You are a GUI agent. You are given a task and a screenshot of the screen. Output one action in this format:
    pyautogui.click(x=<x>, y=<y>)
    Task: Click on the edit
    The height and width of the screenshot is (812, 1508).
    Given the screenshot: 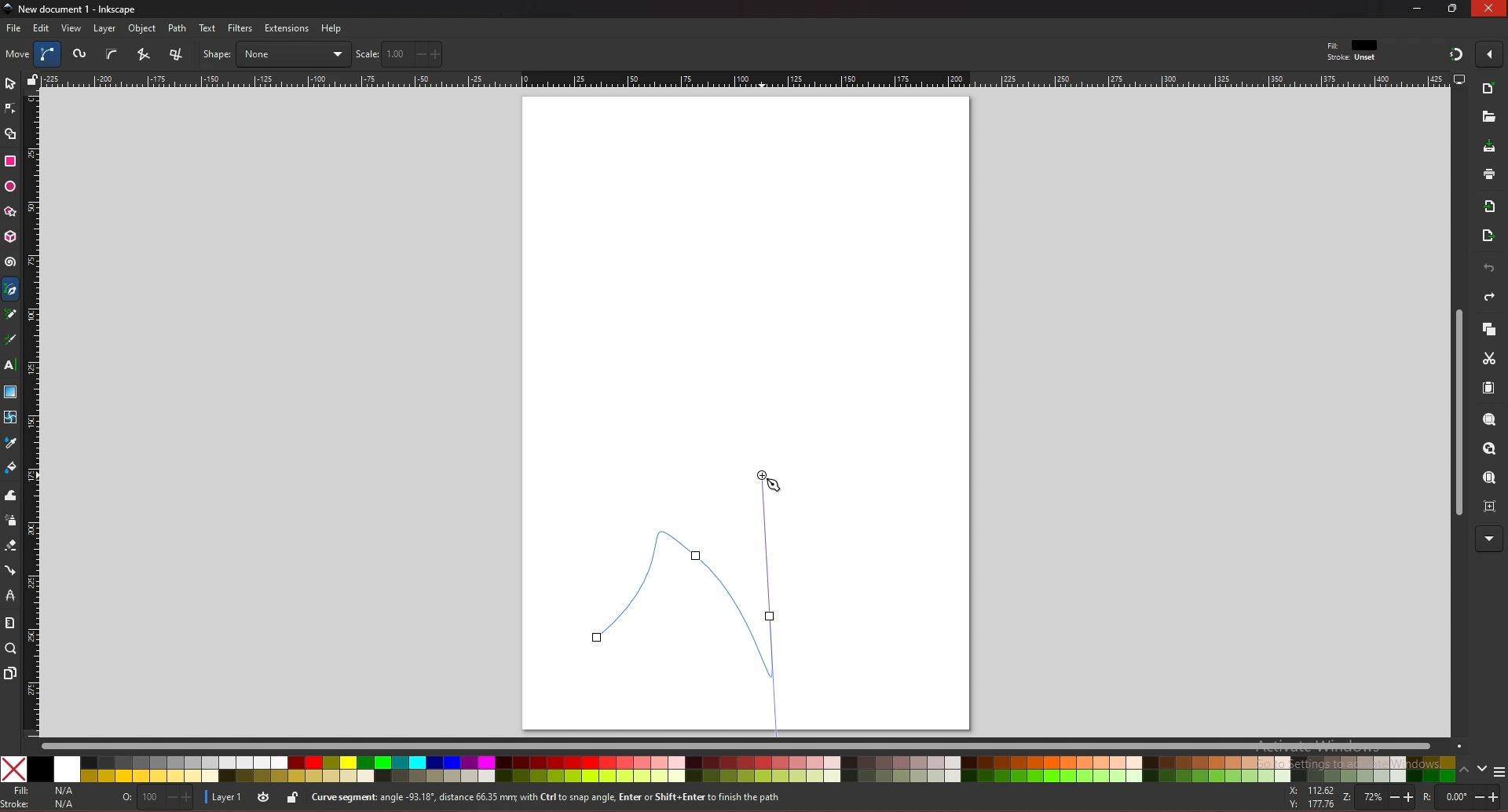 What is the action you would take?
    pyautogui.click(x=42, y=27)
    